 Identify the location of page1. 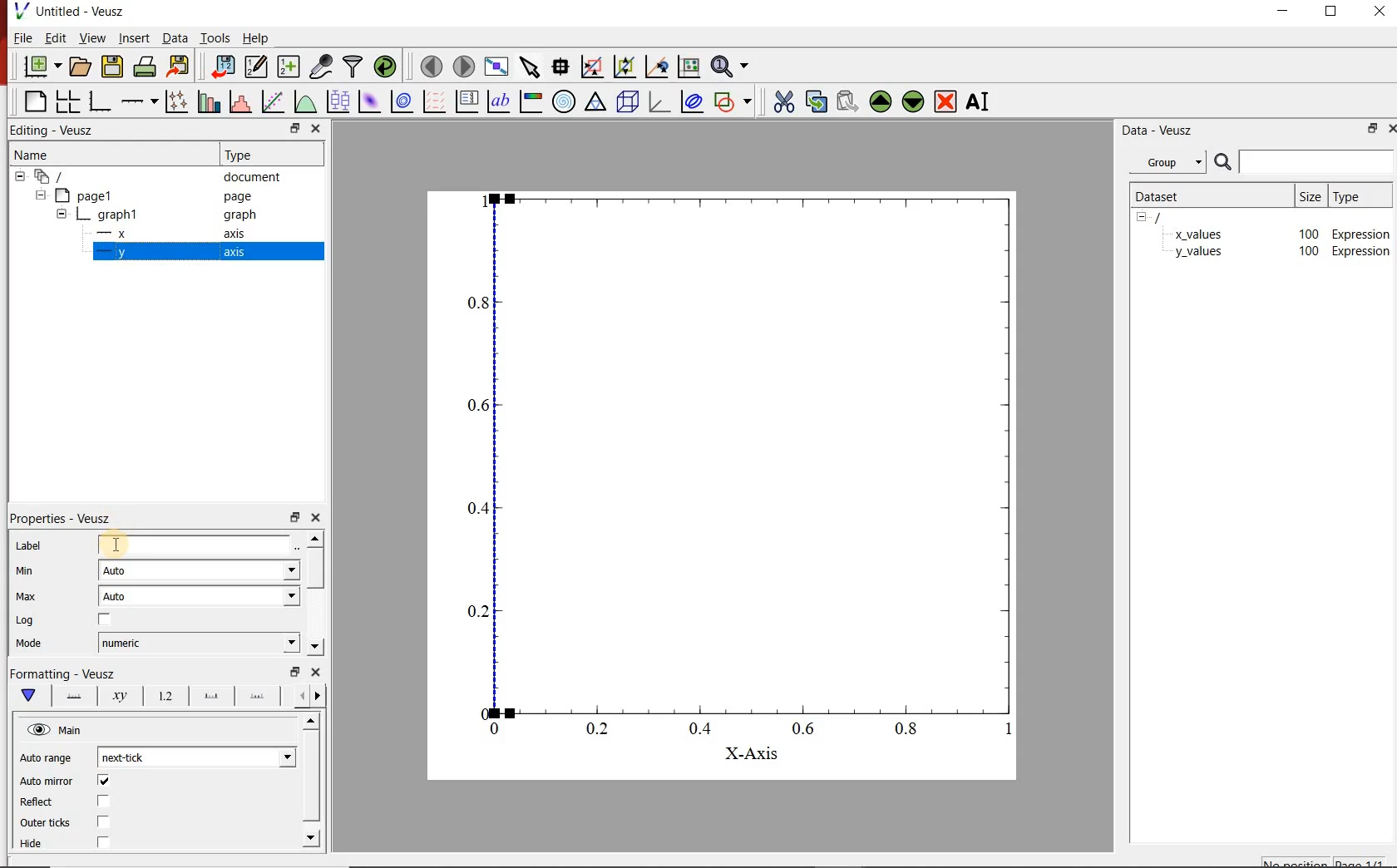
(91, 194).